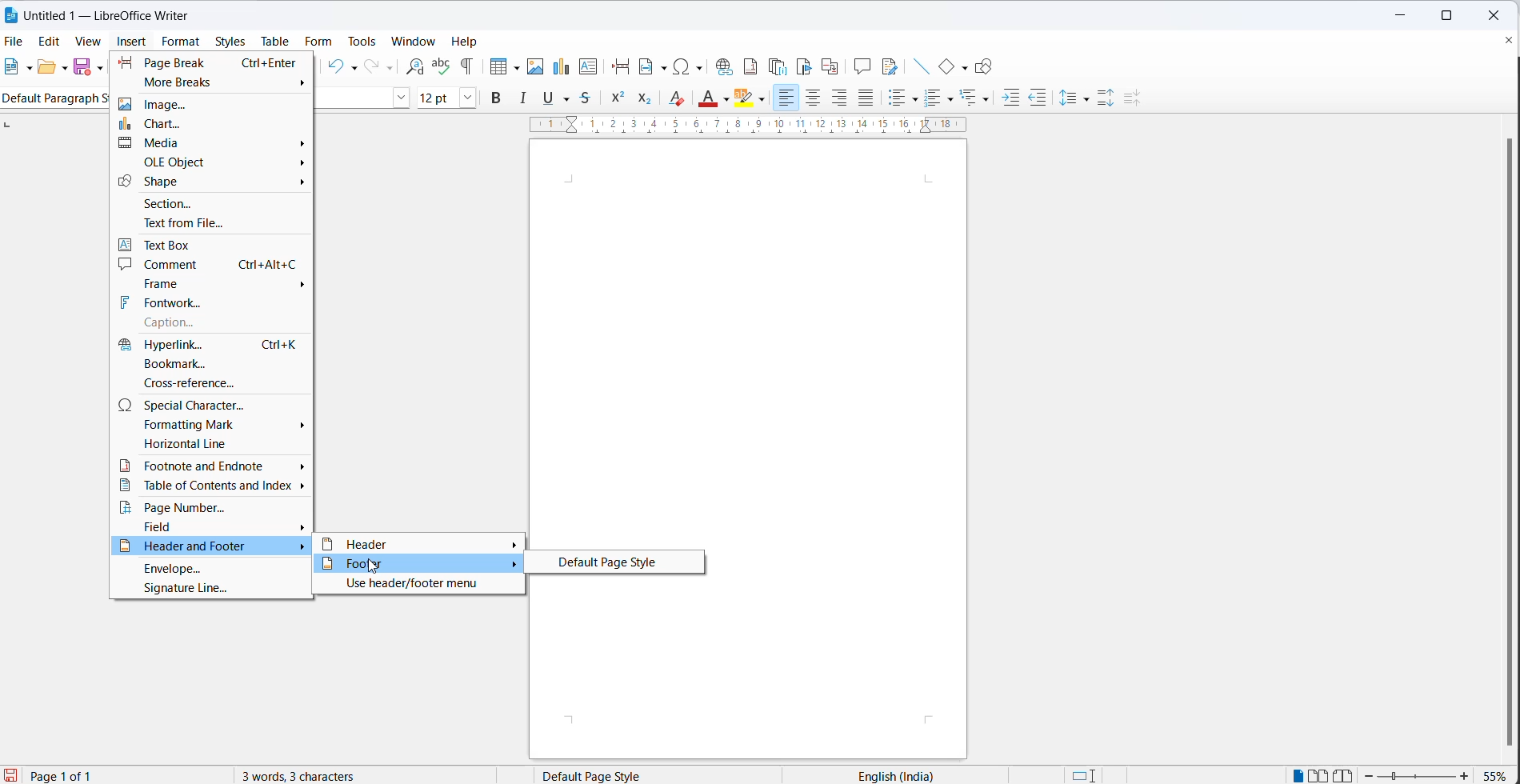 This screenshot has width=1520, height=784. Describe the element at coordinates (211, 306) in the screenshot. I see `fontwork` at that location.